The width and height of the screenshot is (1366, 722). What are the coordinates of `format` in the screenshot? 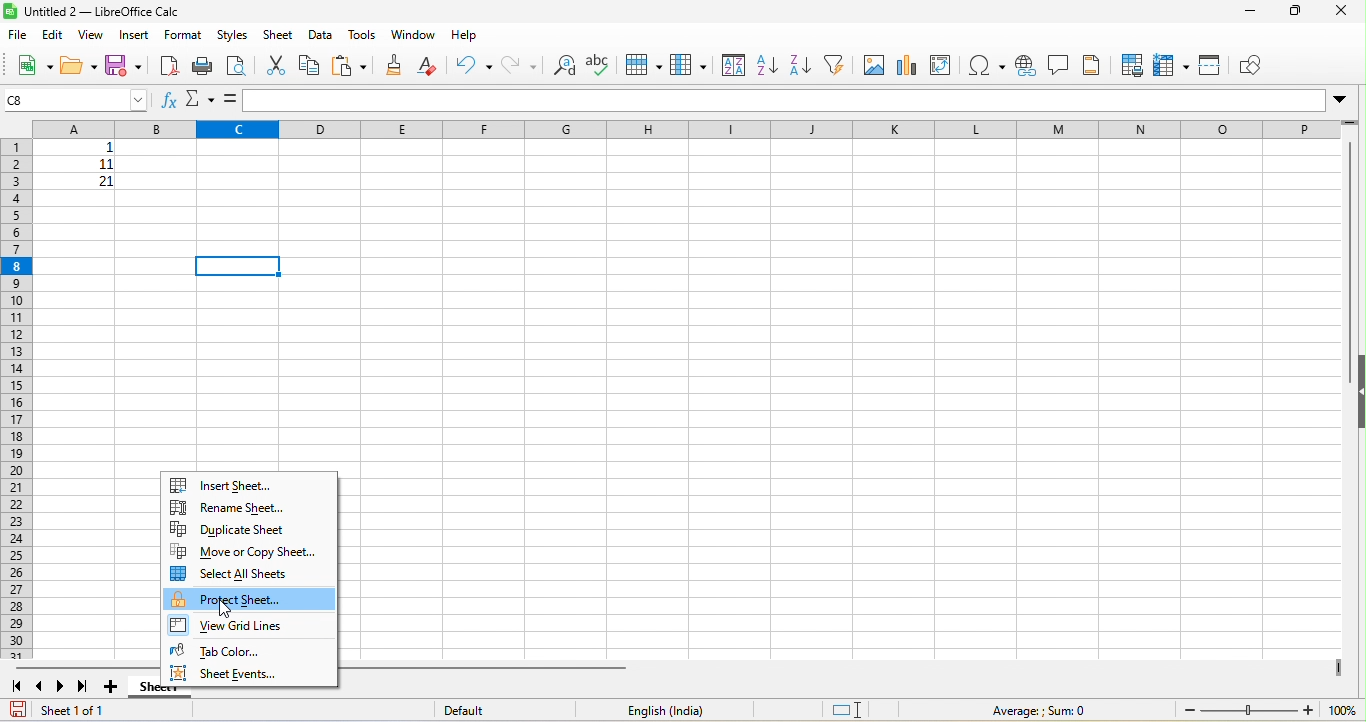 It's located at (184, 36).